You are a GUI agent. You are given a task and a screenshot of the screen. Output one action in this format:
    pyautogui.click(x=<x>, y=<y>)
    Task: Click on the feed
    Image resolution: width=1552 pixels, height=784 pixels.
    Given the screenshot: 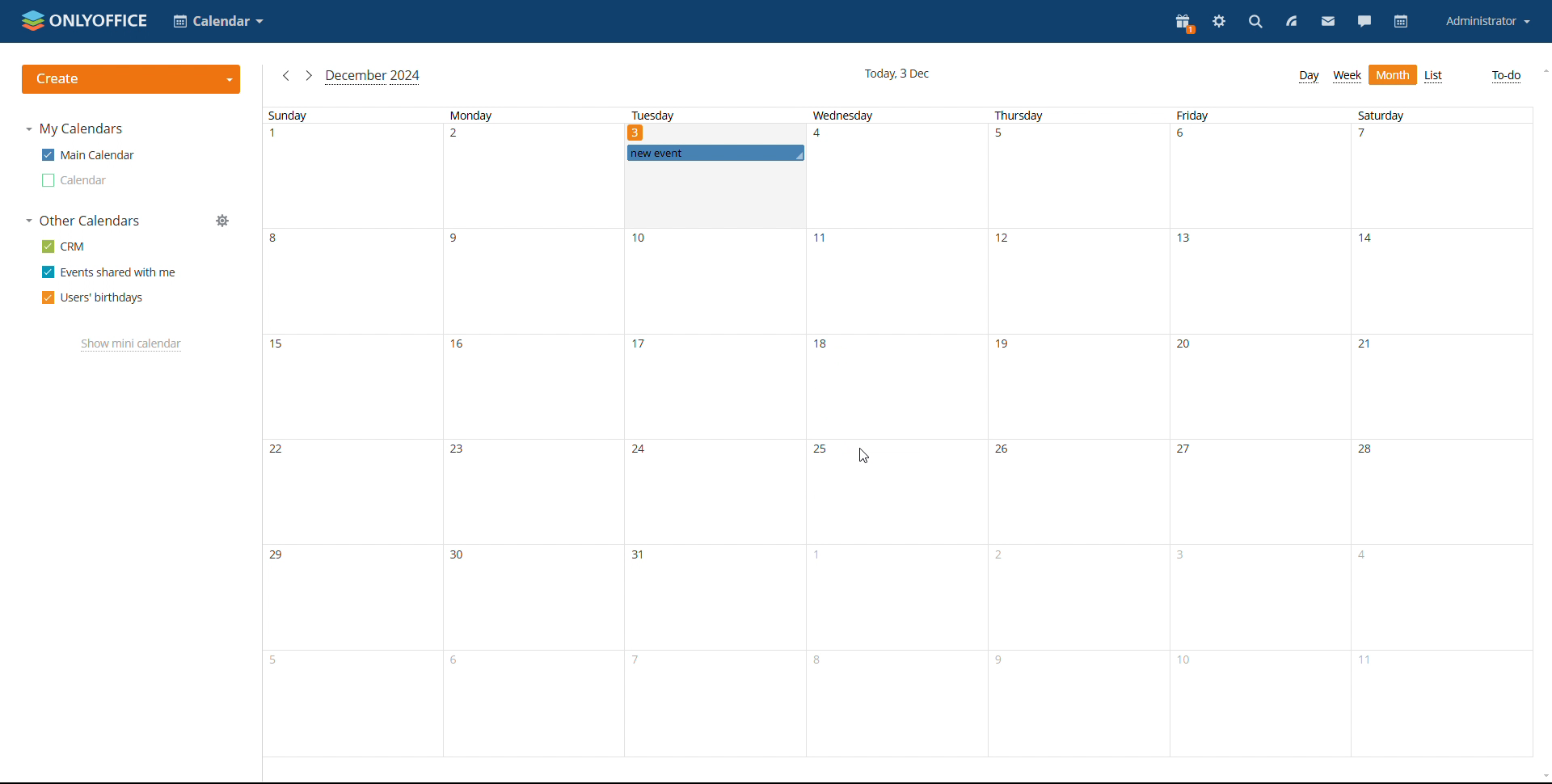 What is the action you would take?
    pyautogui.click(x=1293, y=23)
    